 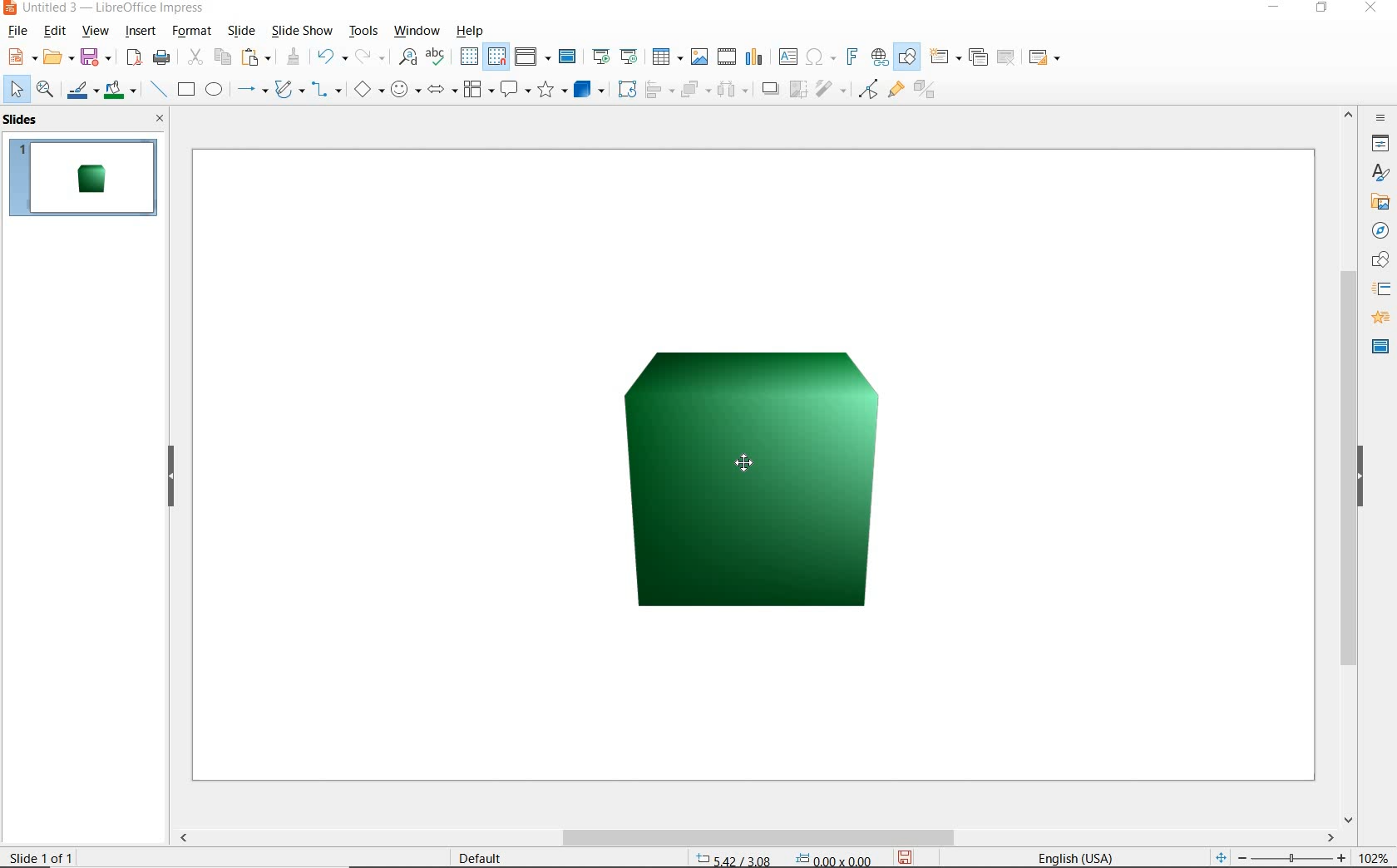 I want to click on print, so click(x=162, y=59).